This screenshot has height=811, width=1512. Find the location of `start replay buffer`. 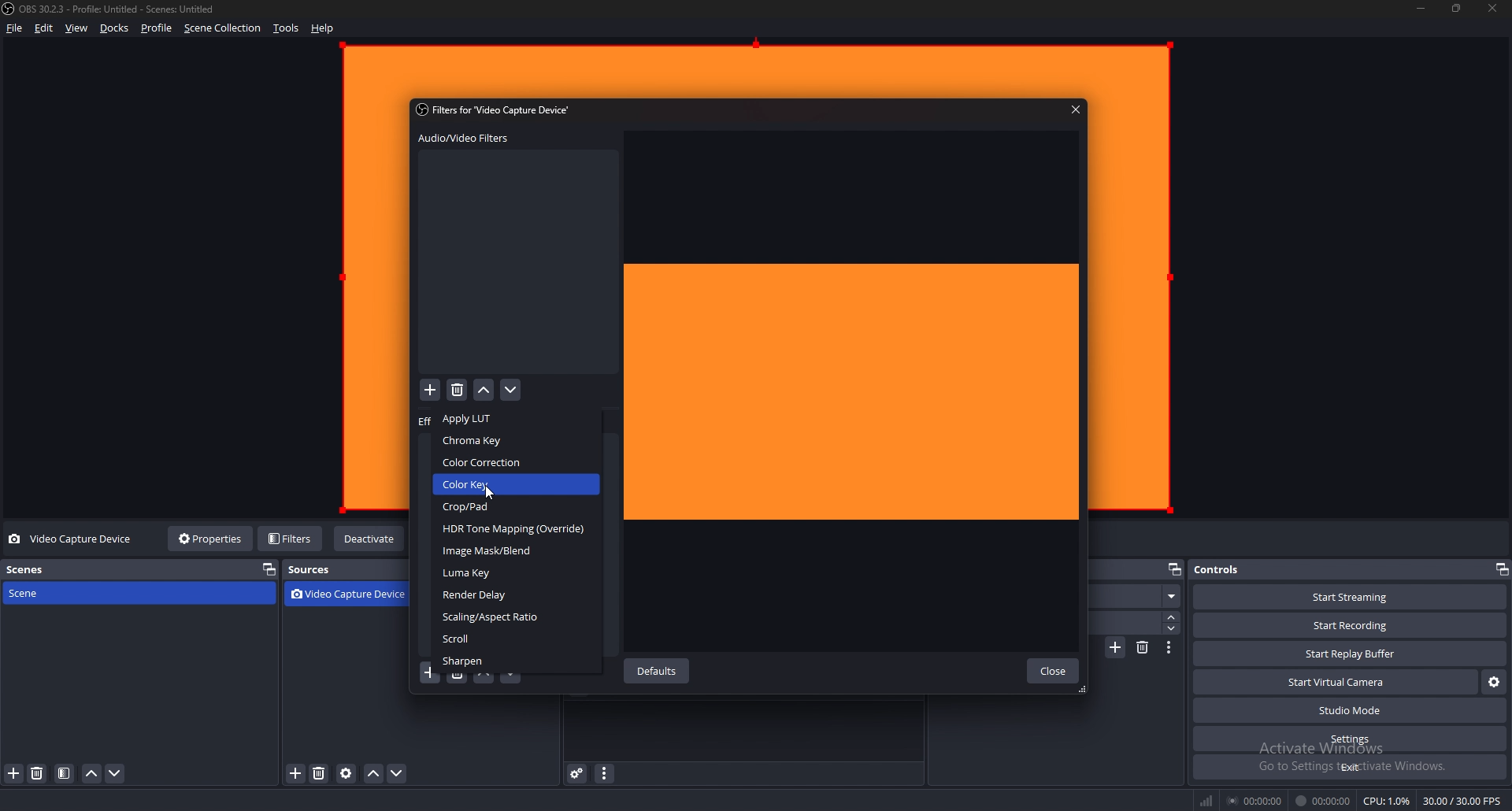

start replay buffer is located at coordinates (1351, 653).